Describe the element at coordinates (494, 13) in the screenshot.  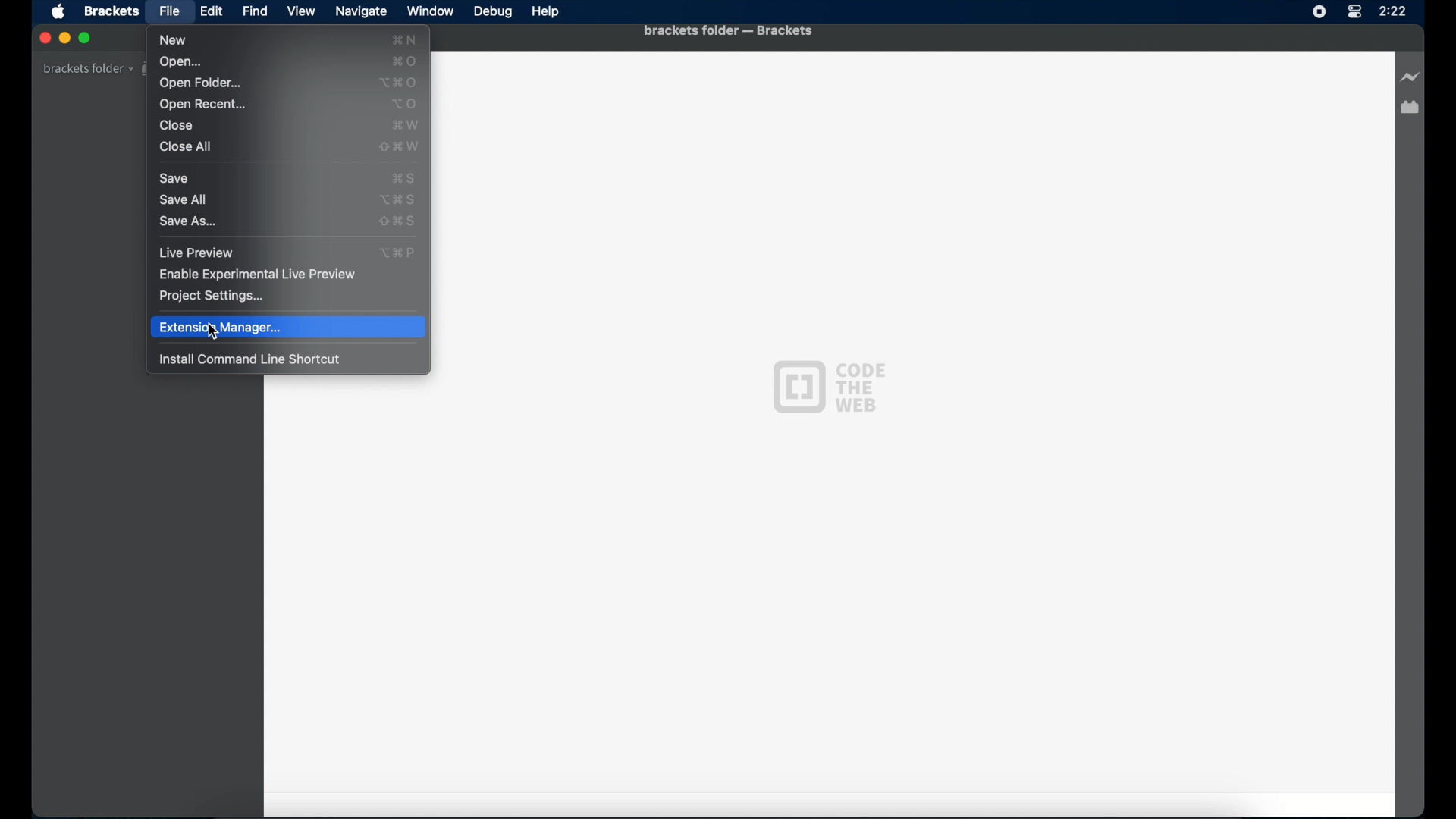
I see `debug` at that location.